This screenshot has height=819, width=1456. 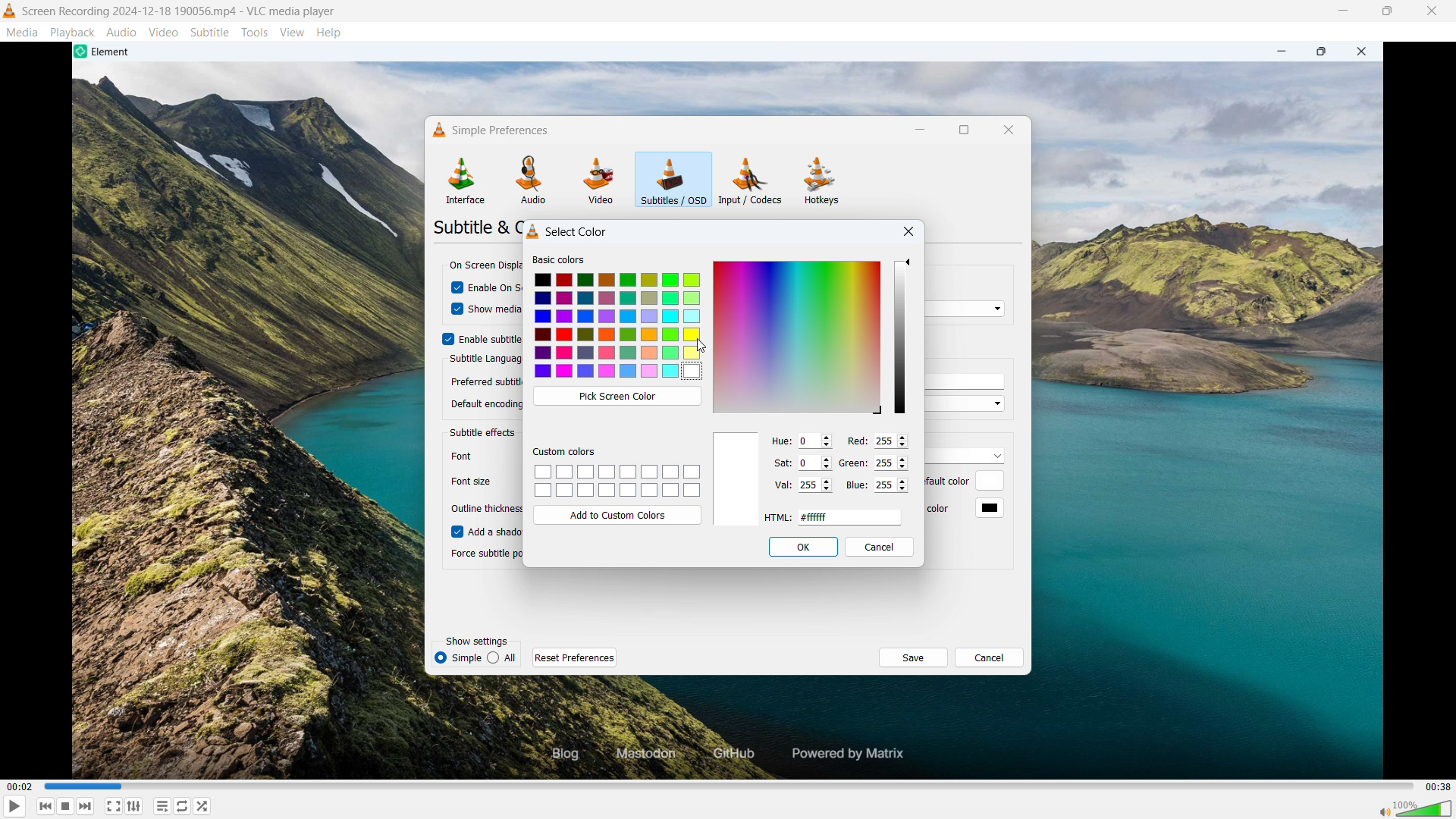 I want to click on Time elapsed , so click(x=20, y=786).